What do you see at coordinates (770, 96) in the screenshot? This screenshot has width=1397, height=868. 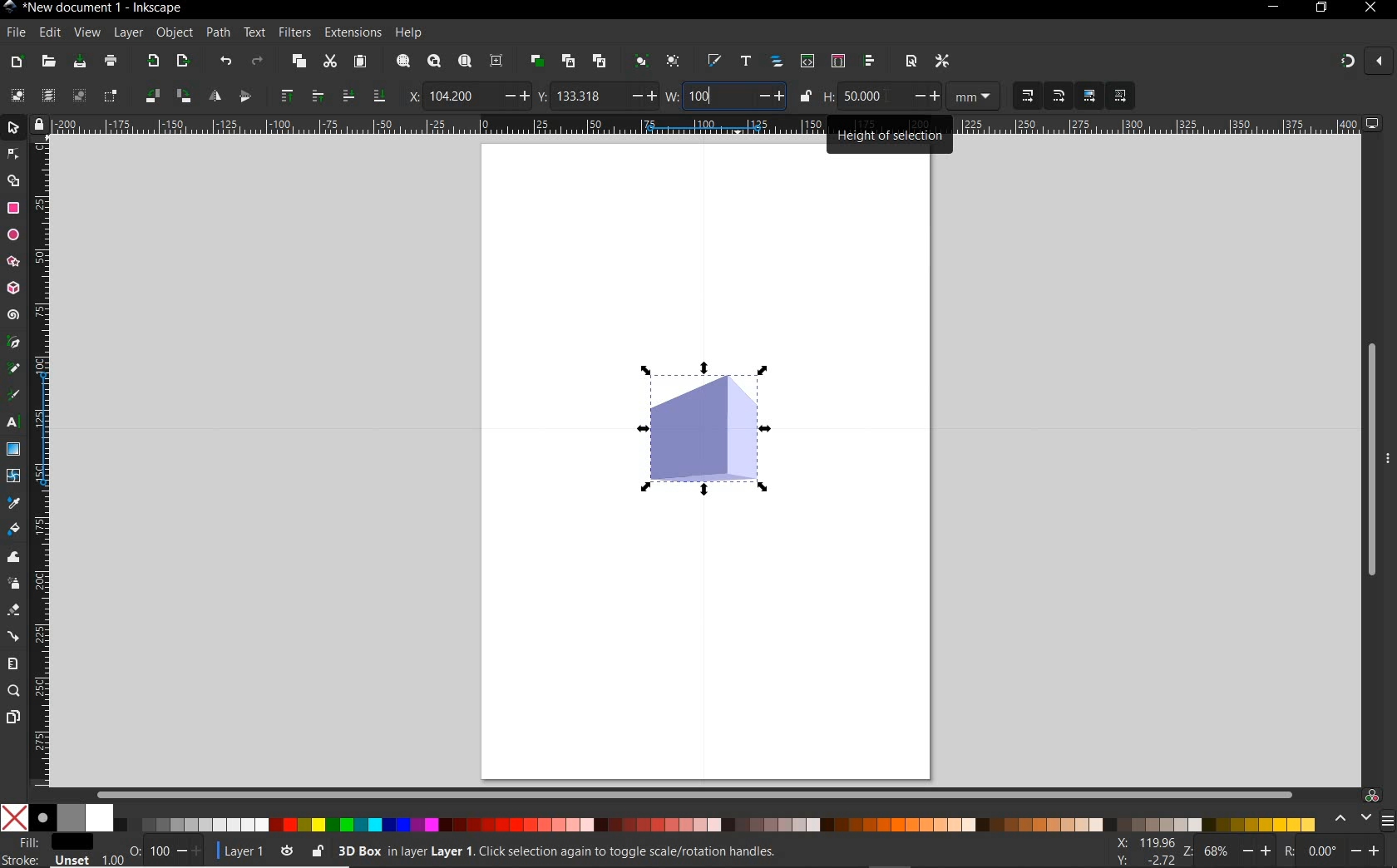 I see `increase/decrease` at bounding box center [770, 96].